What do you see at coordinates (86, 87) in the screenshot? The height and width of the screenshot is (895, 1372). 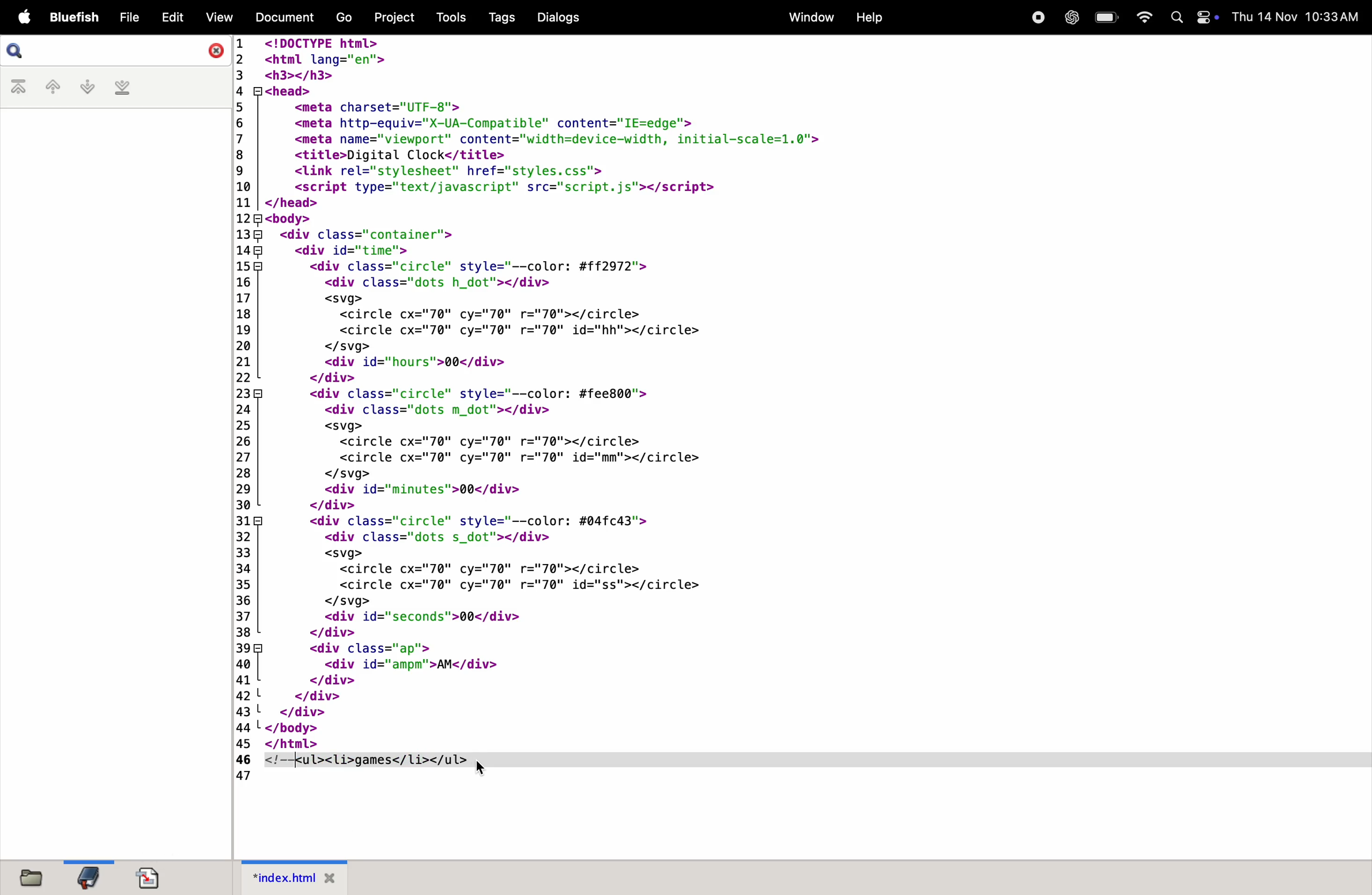 I see `next bookmark` at bounding box center [86, 87].